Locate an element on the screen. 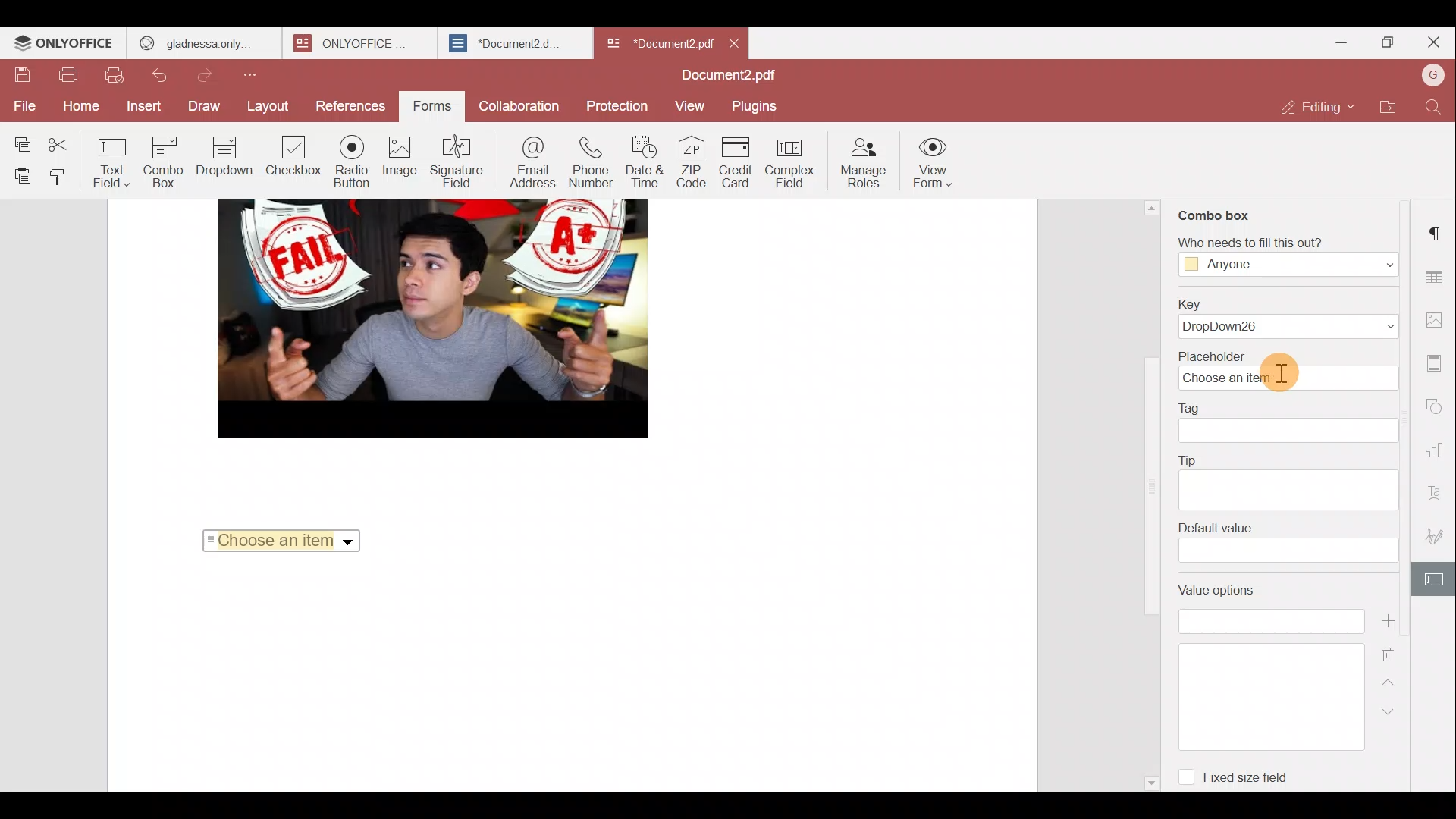 The width and height of the screenshot is (1456, 819). Close is located at coordinates (736, 41).